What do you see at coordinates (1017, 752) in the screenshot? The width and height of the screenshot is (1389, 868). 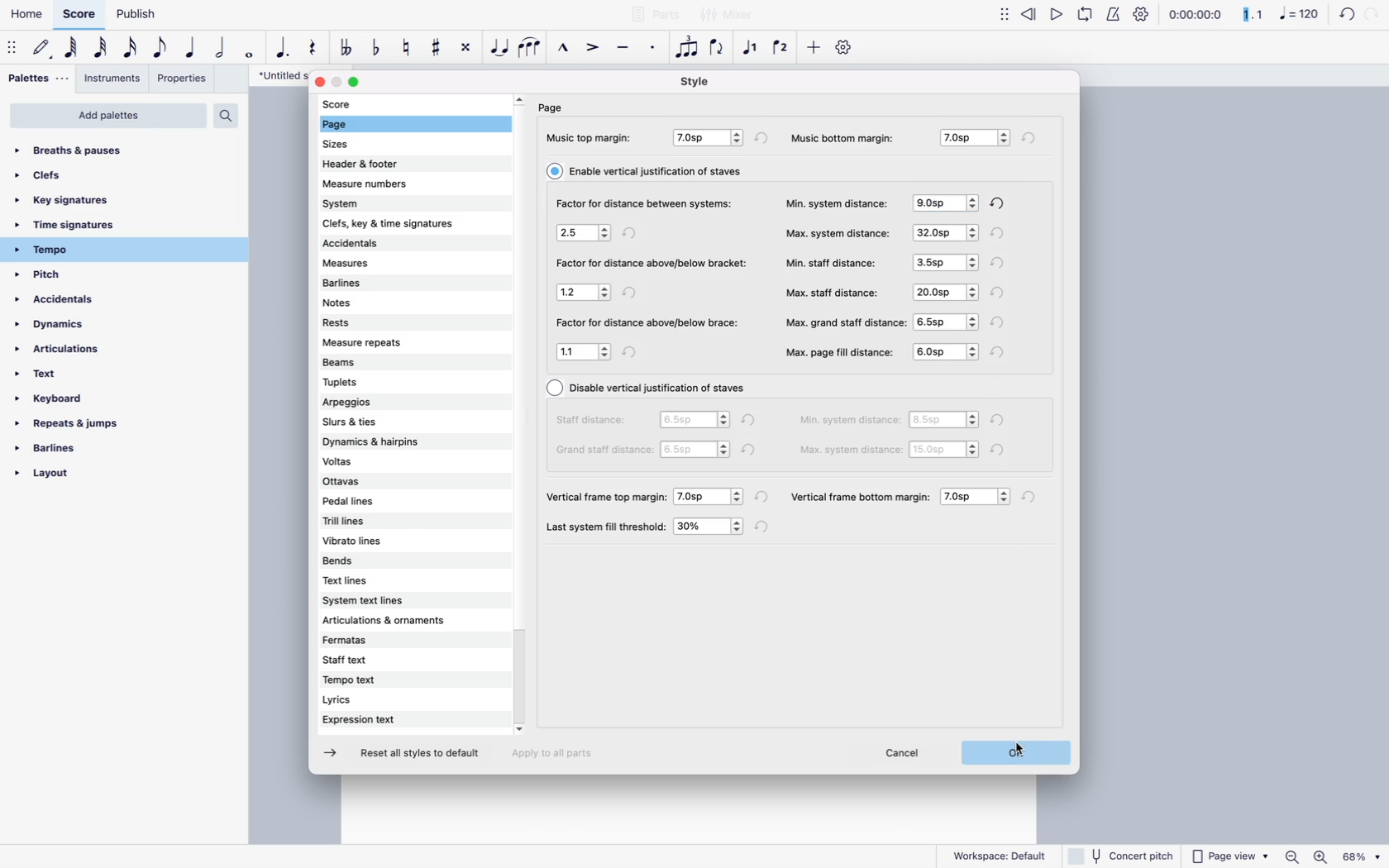 I see `Cursor` at bounding box center [1017, 752].